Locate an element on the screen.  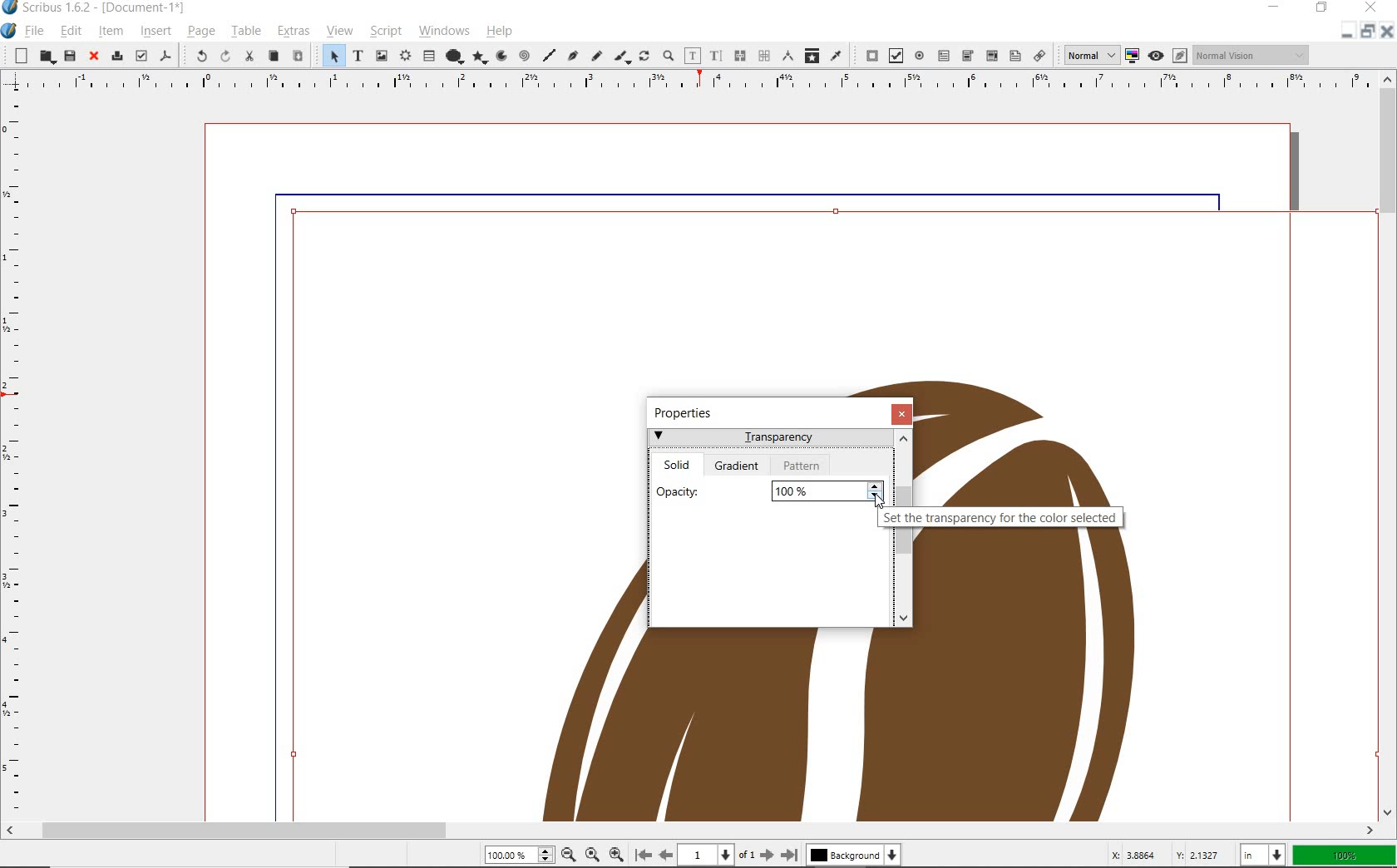
toggle color is located at coordinates (1133, 55).